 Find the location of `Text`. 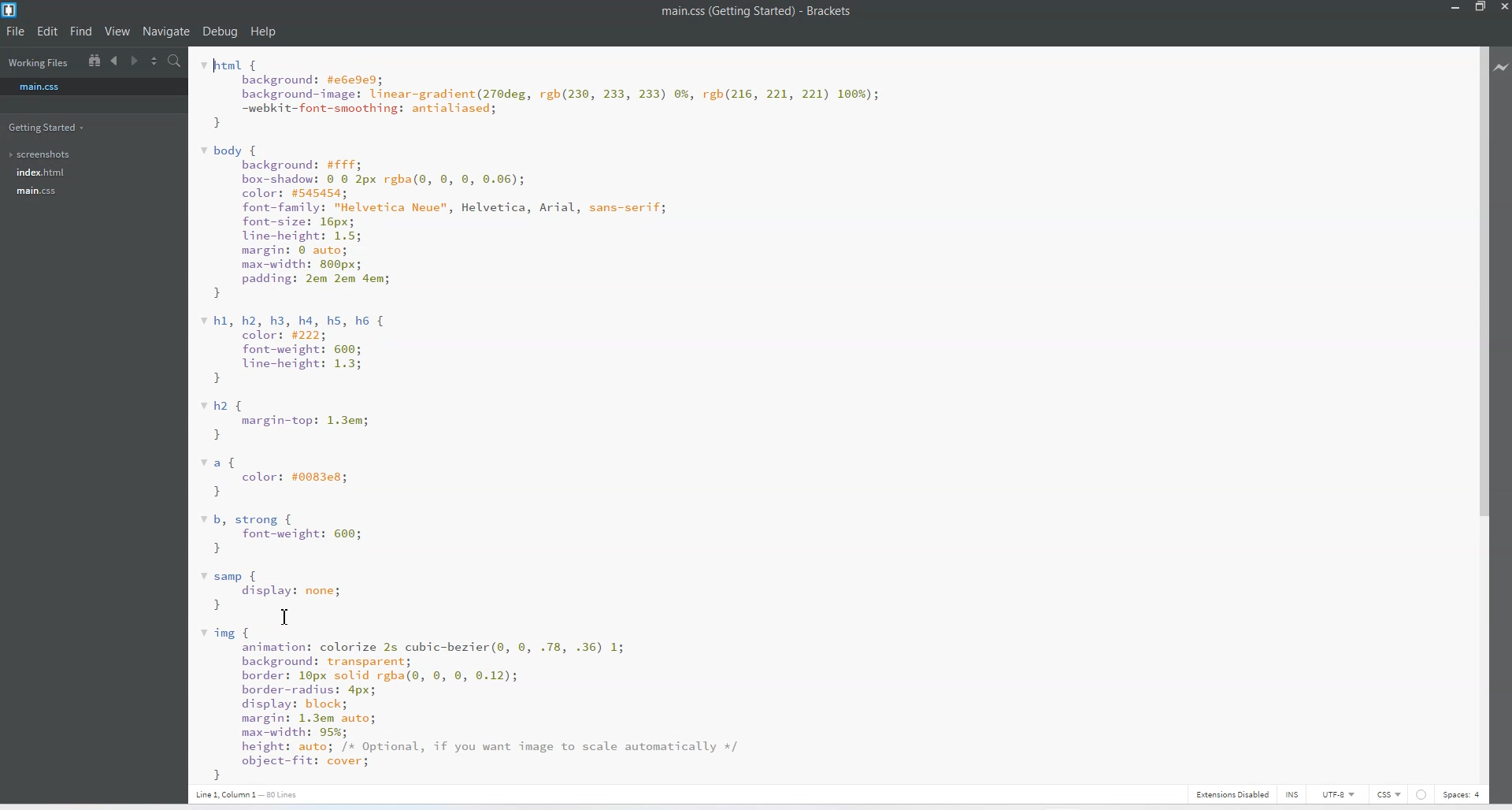

Text is located at coordinates (543, 413).